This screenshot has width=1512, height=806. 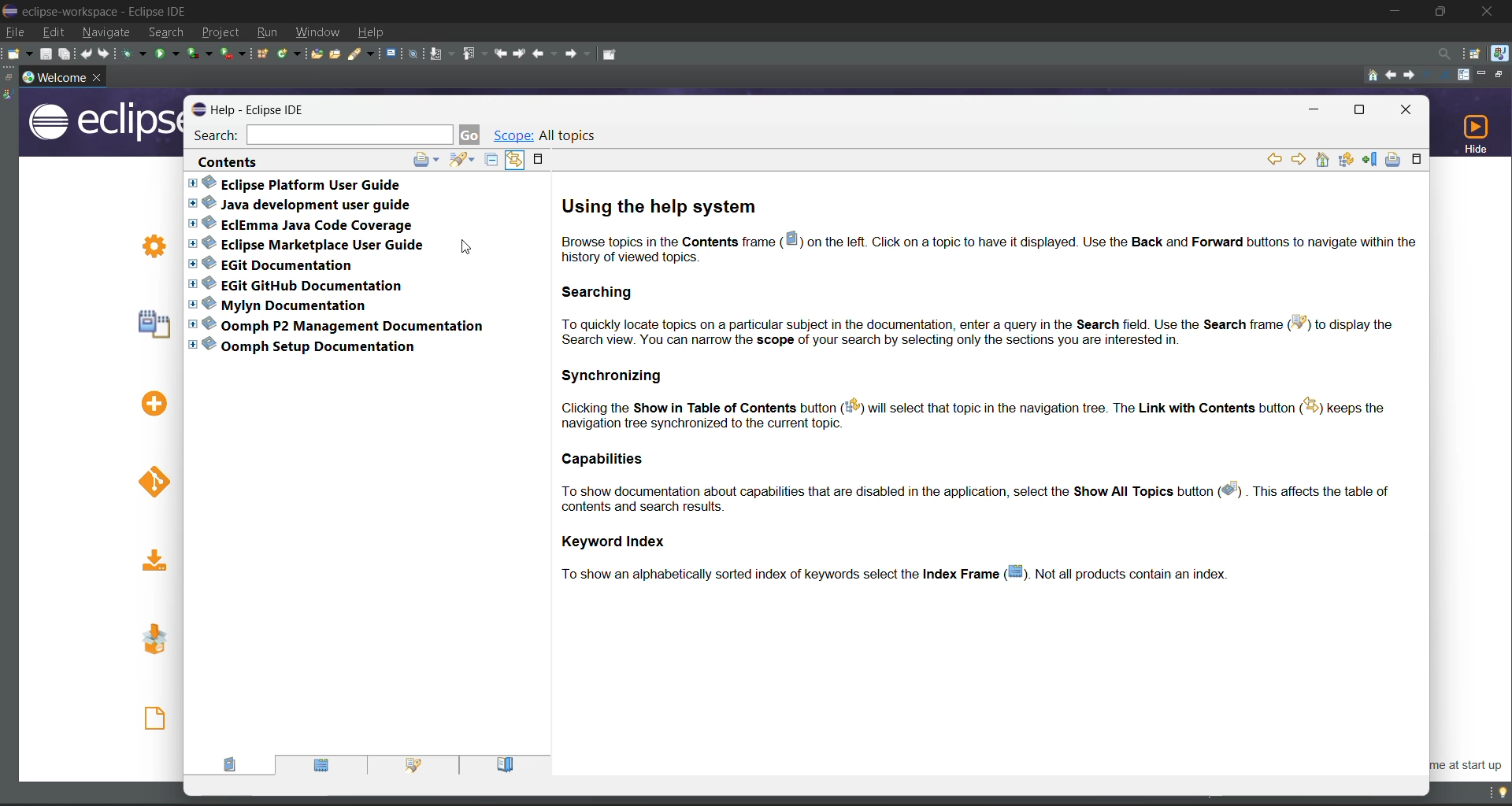 I want to click on search, so click(x=464, y=162).